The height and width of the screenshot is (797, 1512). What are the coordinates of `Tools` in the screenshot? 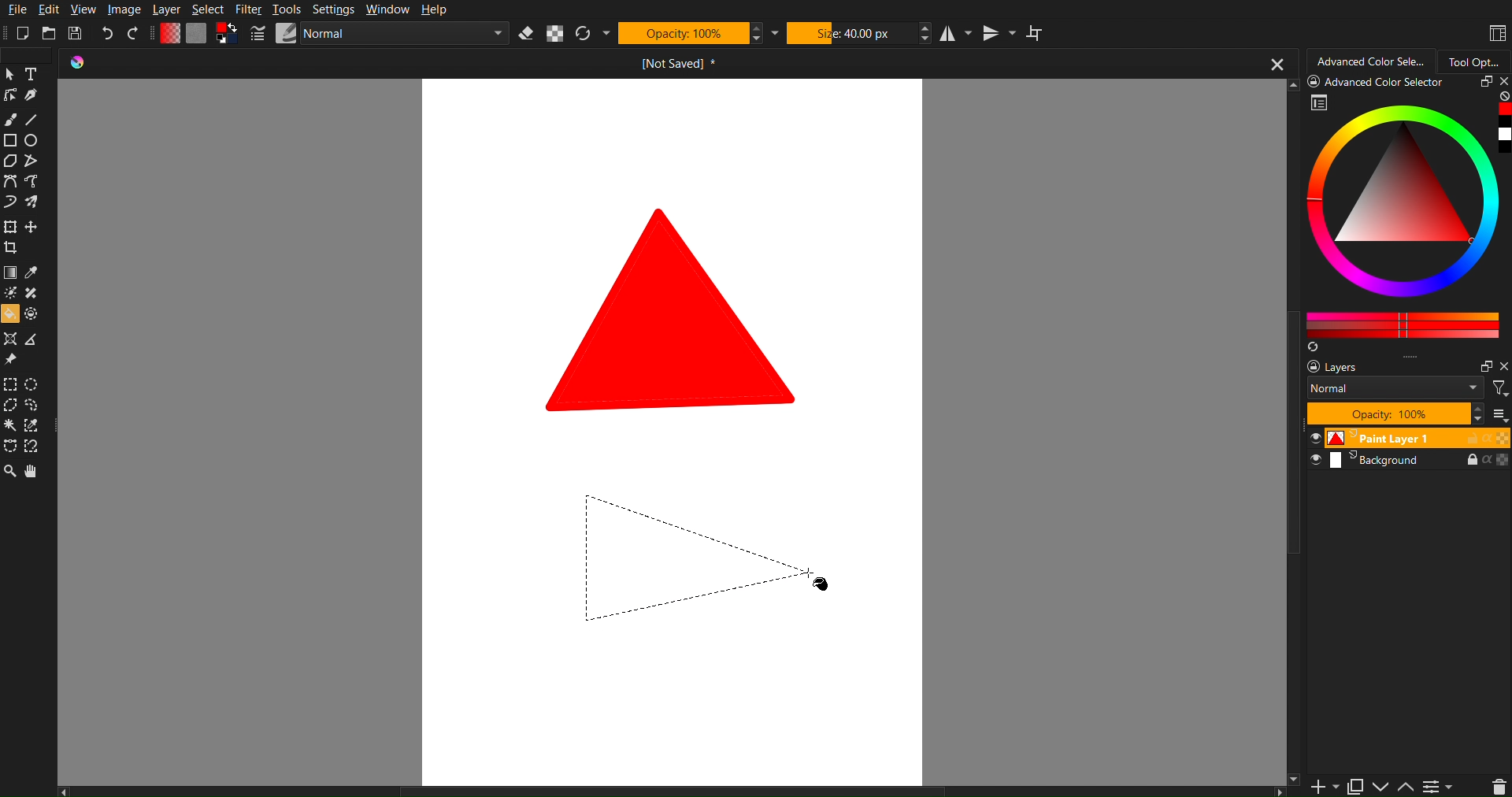 It's located at (286, 9).